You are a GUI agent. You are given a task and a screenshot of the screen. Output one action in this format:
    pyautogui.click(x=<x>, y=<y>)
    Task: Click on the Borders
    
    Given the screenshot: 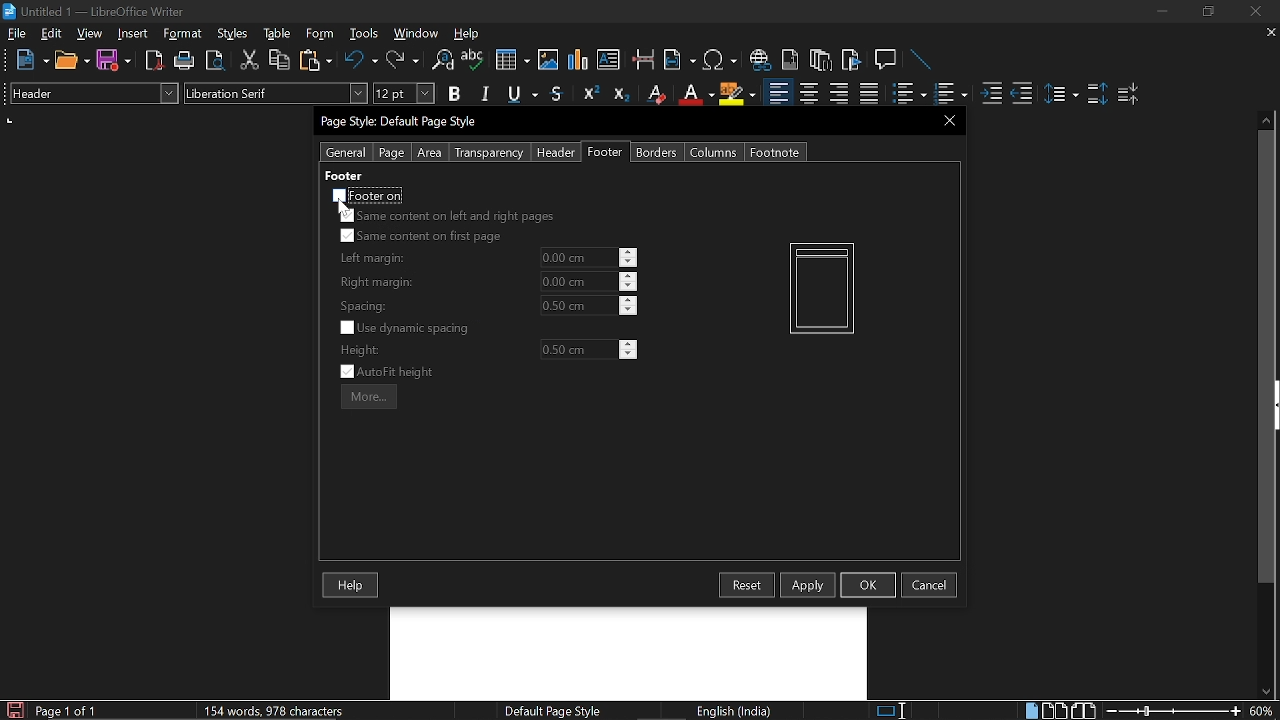 What is the action you would take?
    pyautogui.click(x=658, y=152)
    